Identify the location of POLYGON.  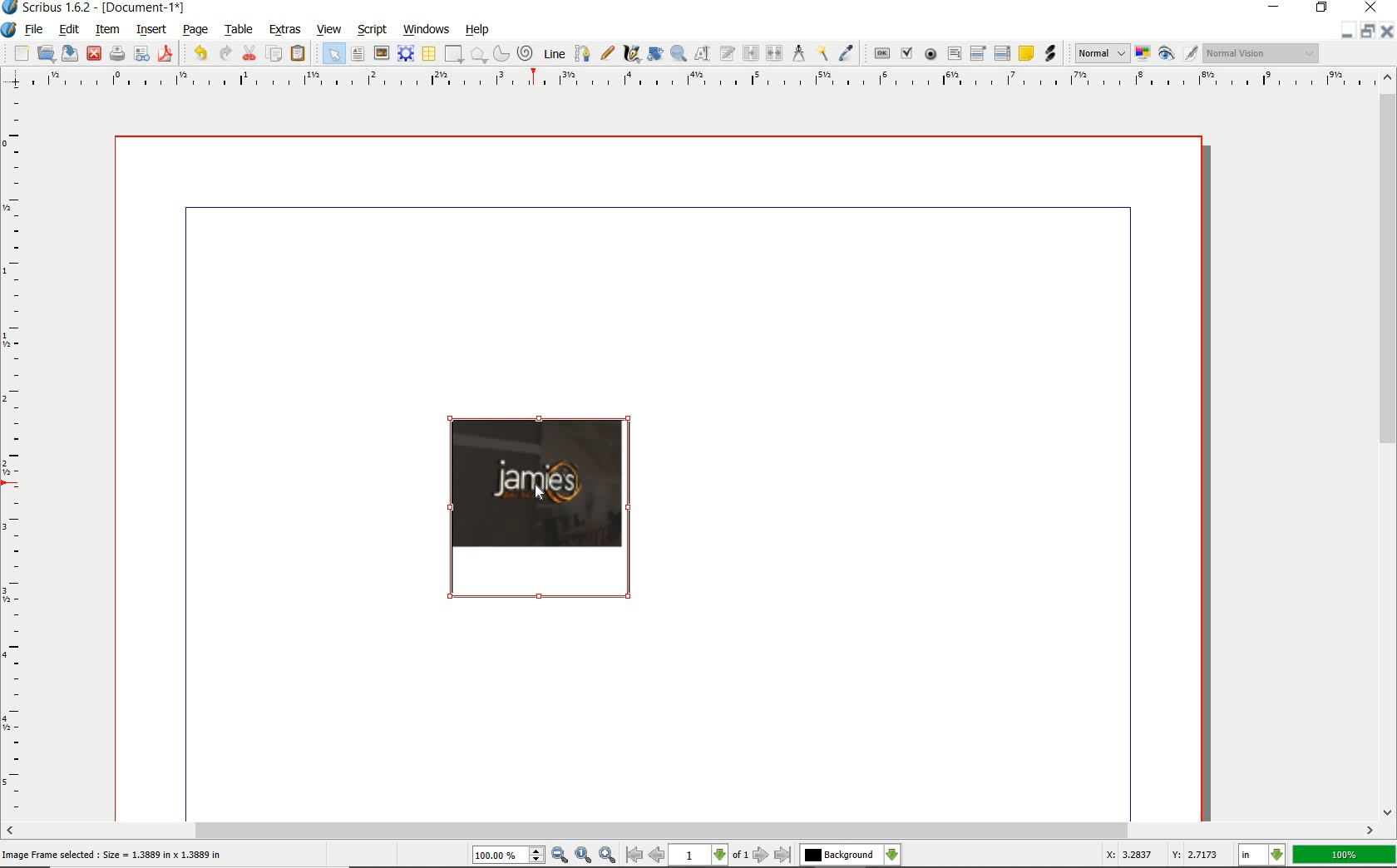
(478, 55).